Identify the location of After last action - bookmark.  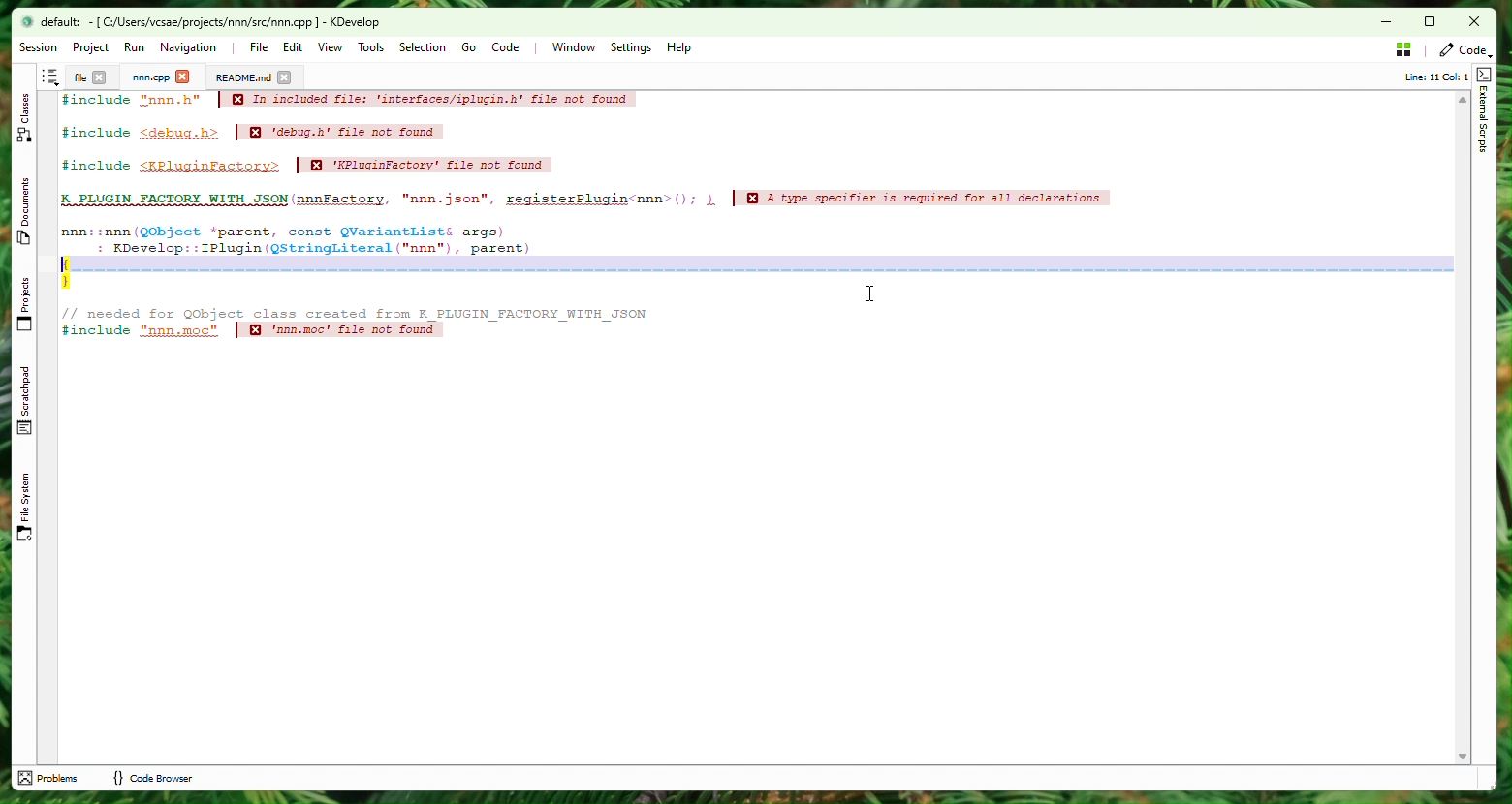
(92, 274).